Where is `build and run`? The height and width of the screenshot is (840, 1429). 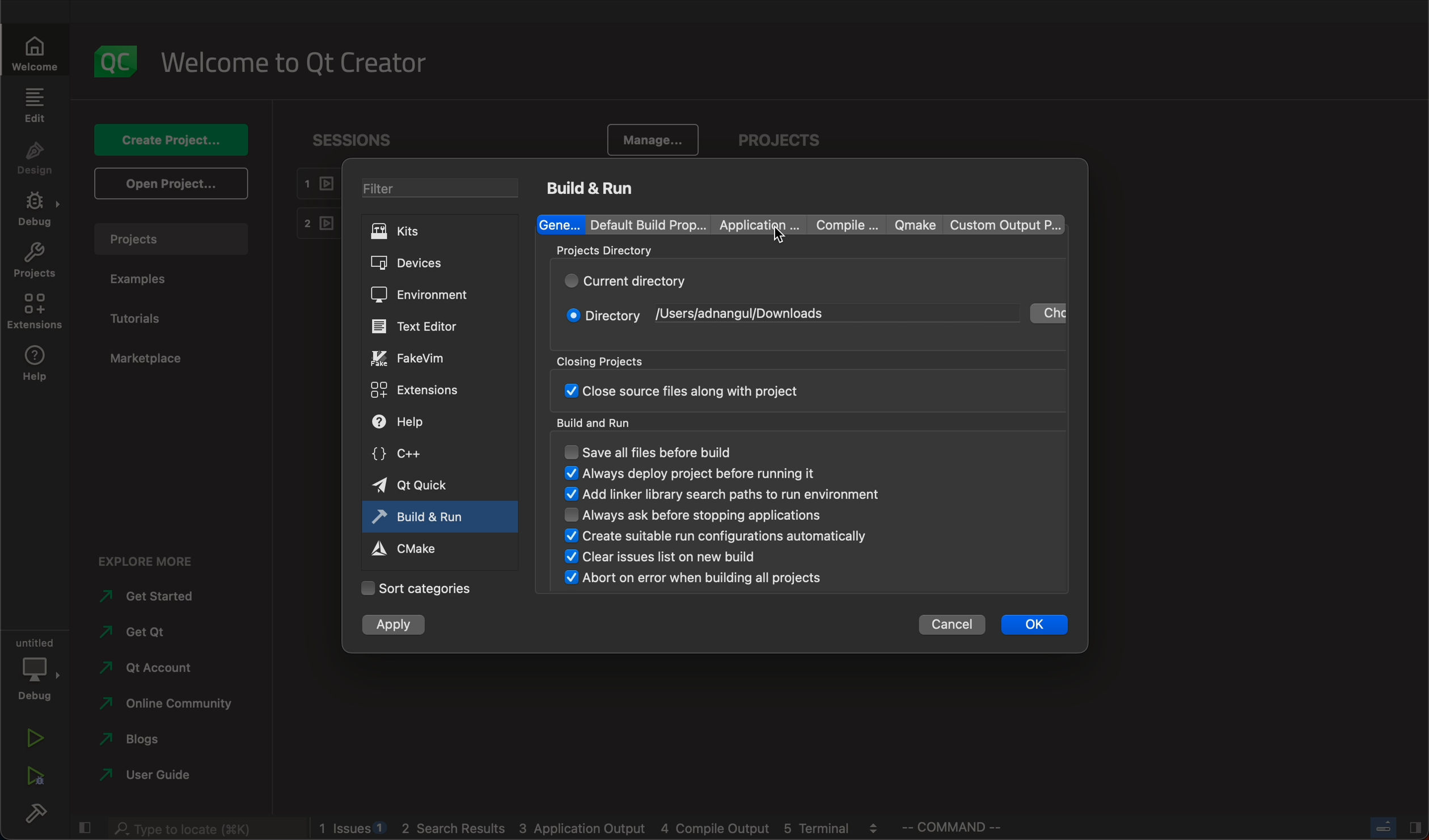 build and run is located at coordinates (422, 515).